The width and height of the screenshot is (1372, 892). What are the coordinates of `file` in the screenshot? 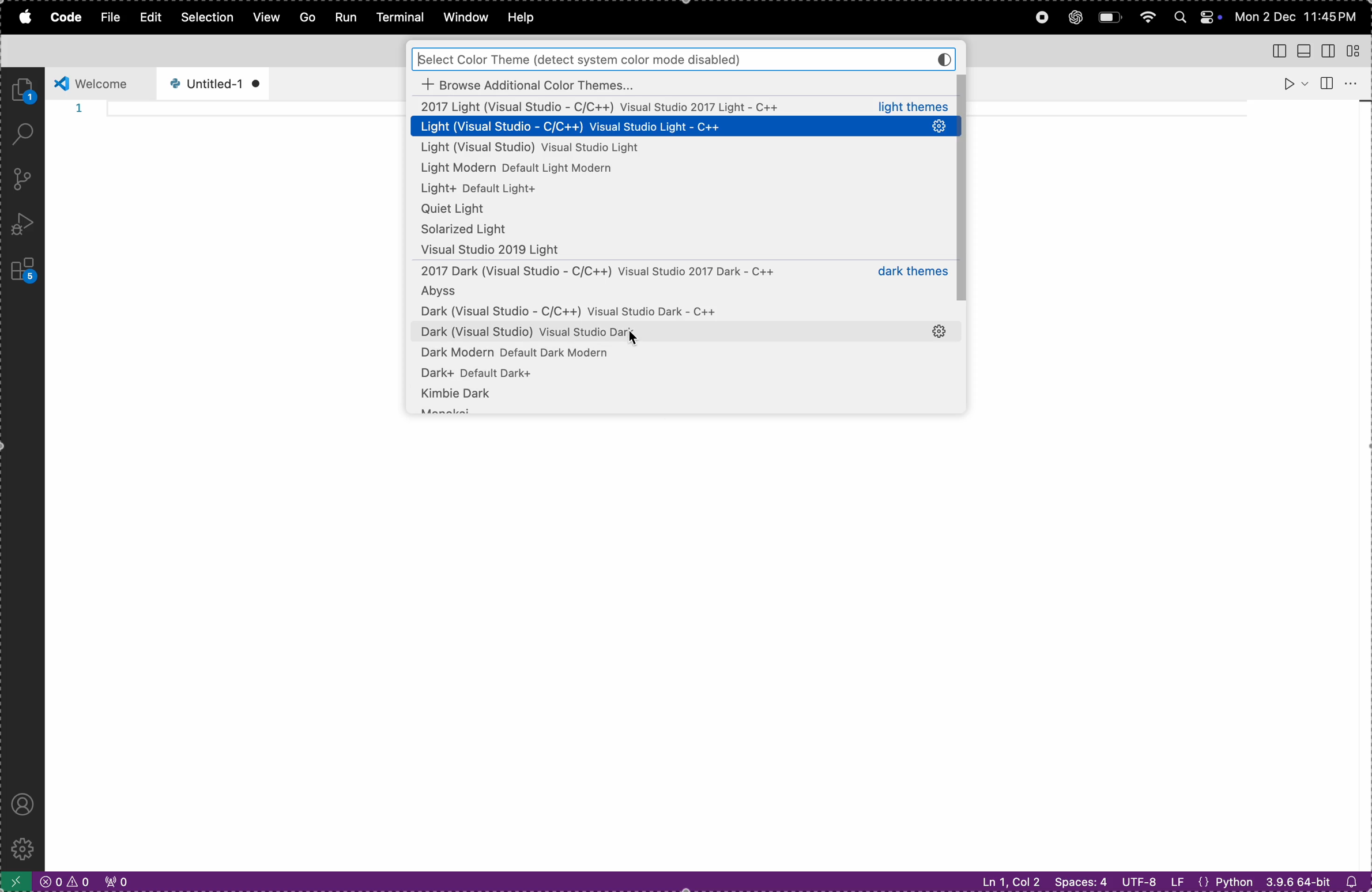 It's located at (105, 17).